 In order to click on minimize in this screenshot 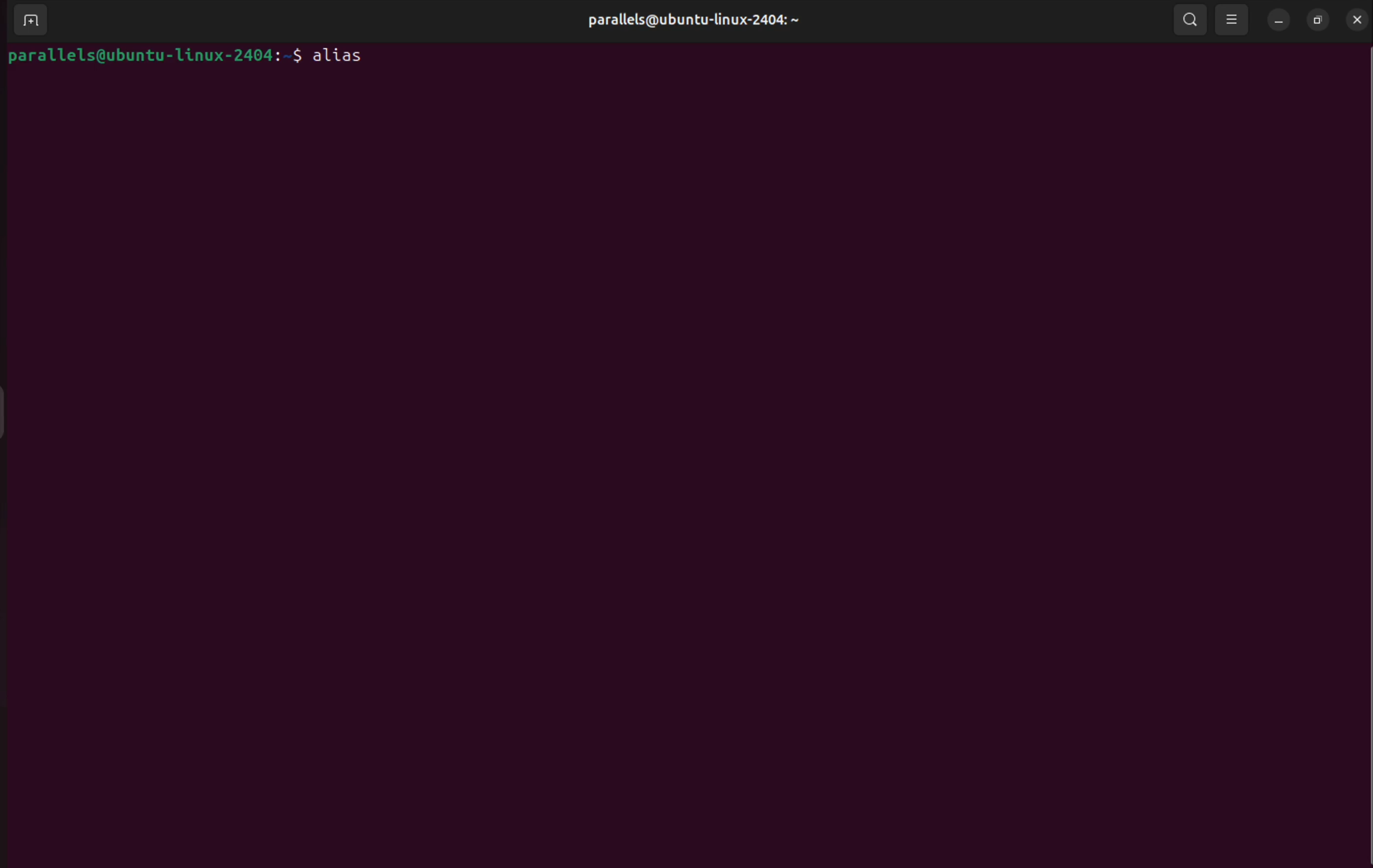, I will do `click(1278, 21)`.